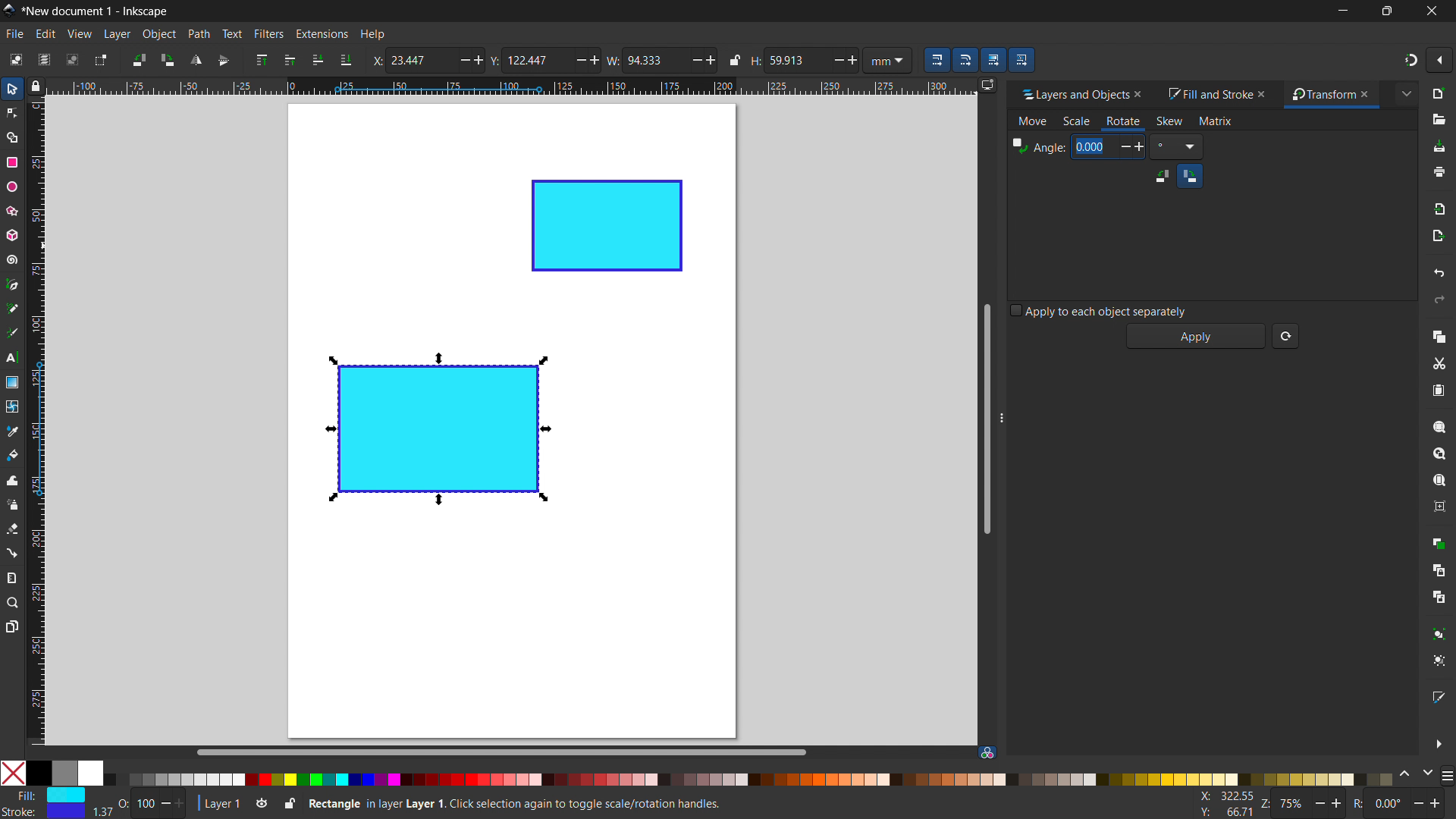  What do you see at coordinates (39, 774) in the screenshot?
I see `Solid Black` at bounding box center [39, 774].